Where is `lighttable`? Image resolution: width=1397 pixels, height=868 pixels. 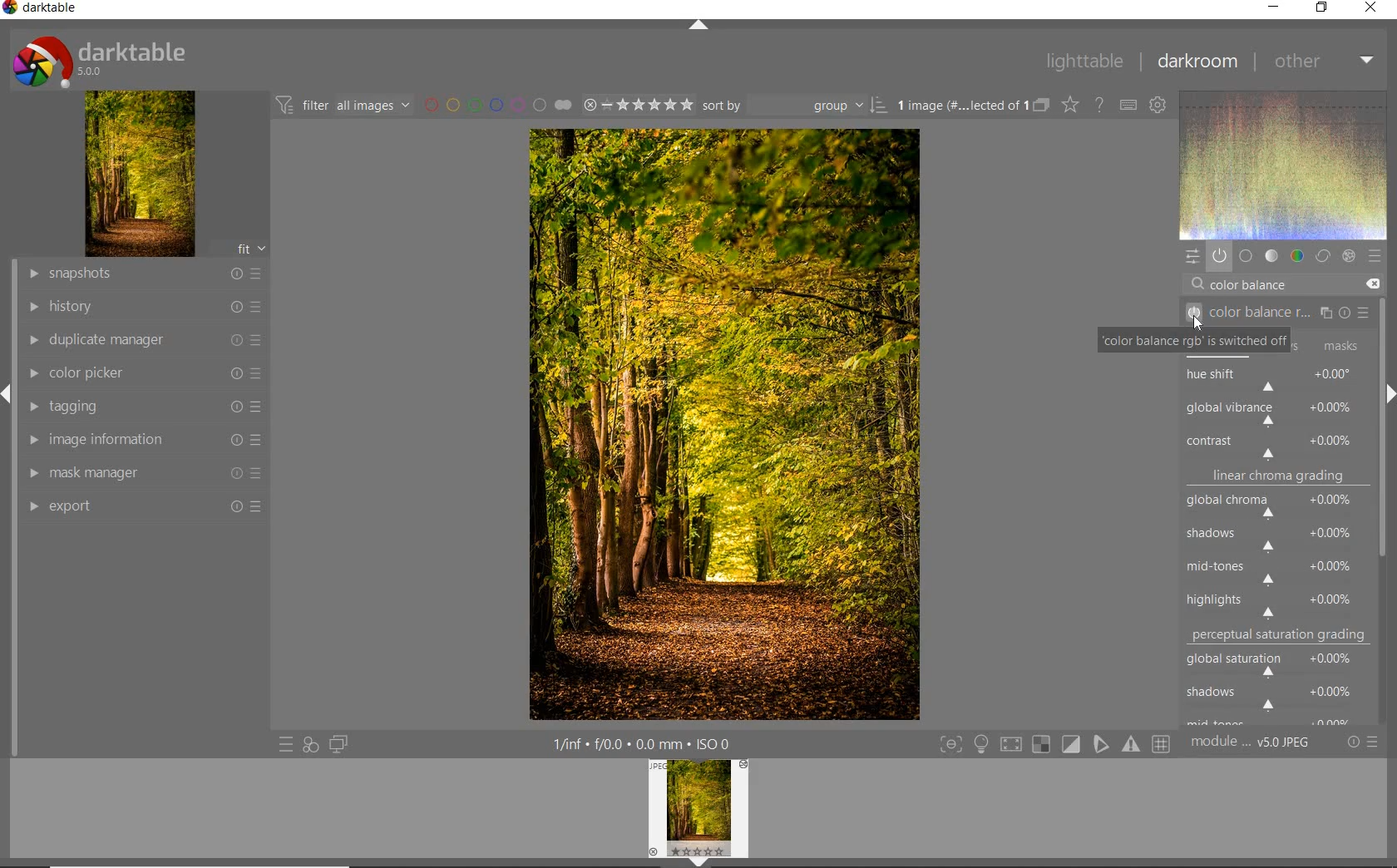
lighttable is located at coordinates (1084, 62).